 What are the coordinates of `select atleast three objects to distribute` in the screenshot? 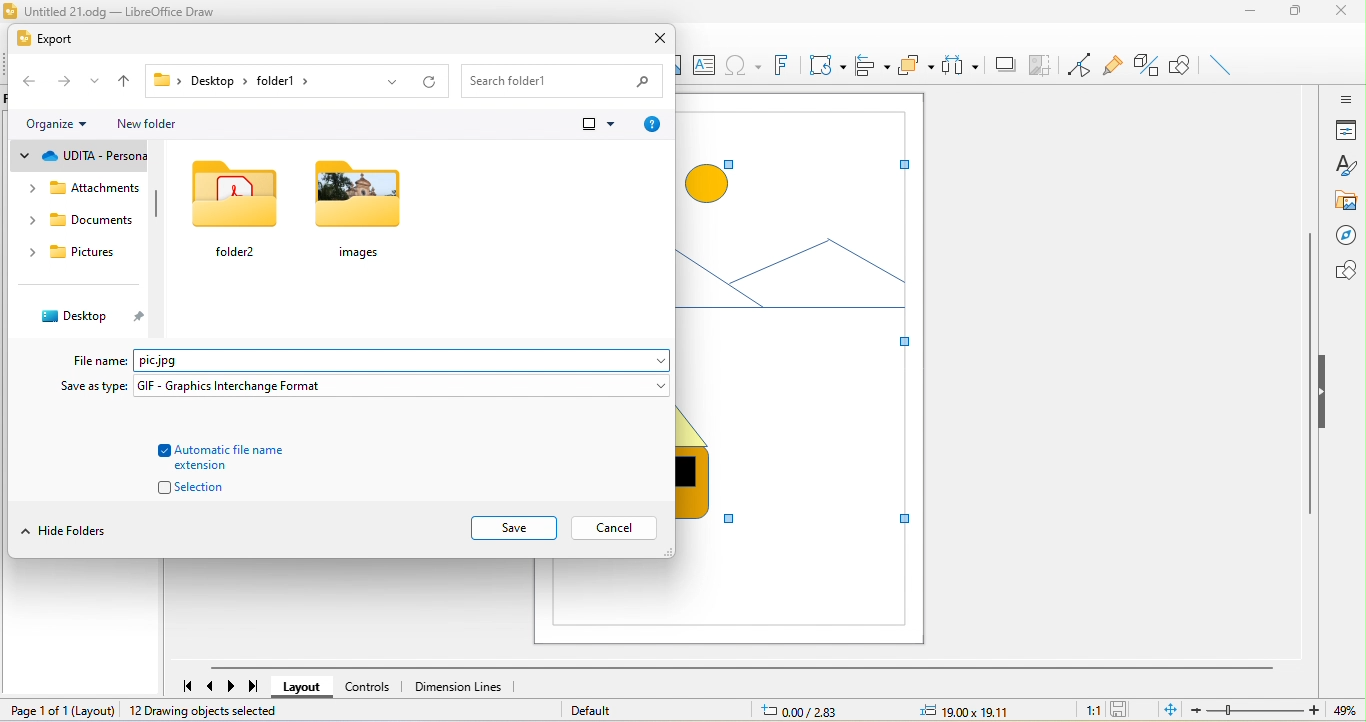 It's located at (961, 66).